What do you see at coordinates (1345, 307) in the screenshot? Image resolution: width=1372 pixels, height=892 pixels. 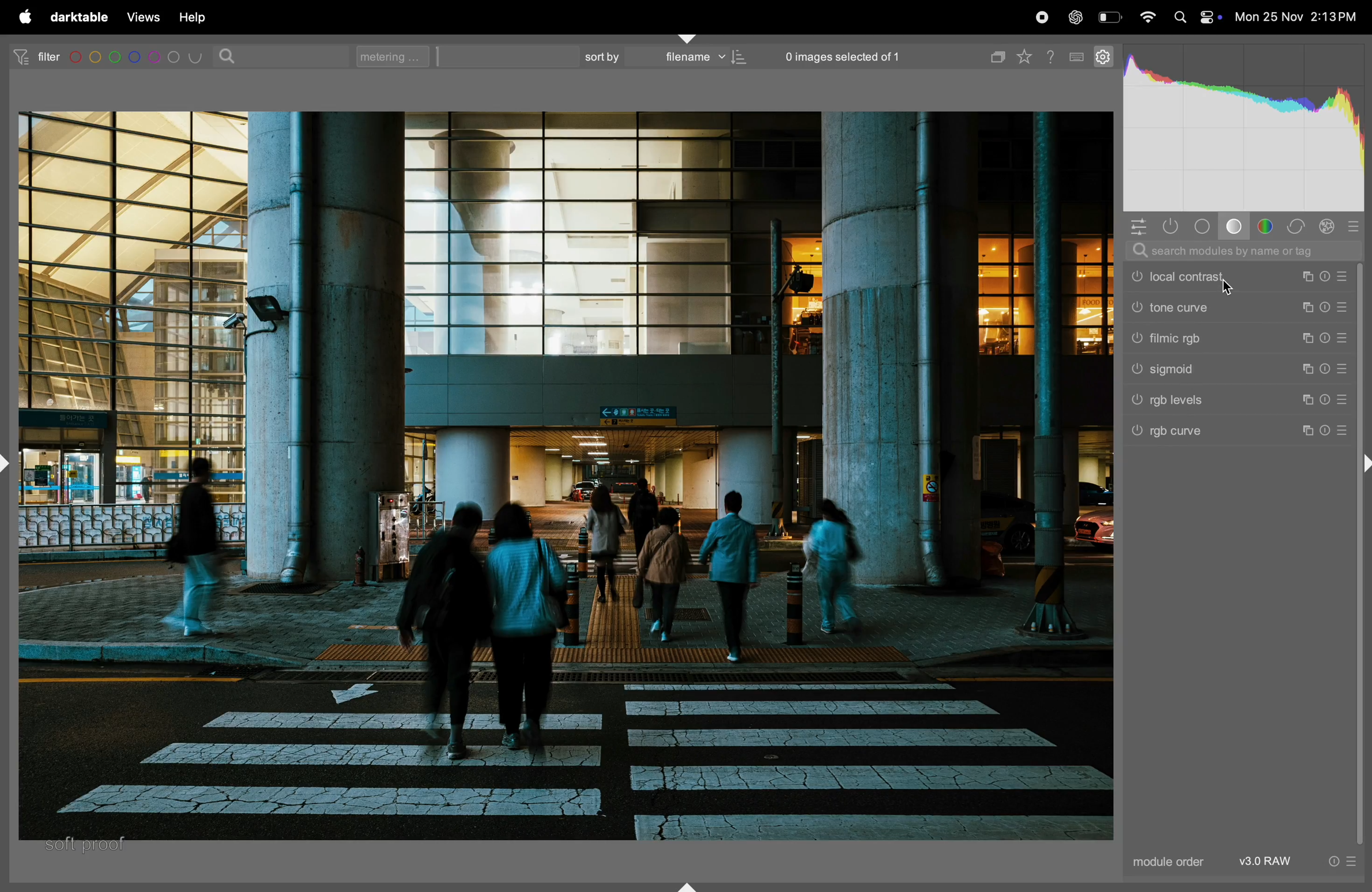 I see `preset` at bounding box center [1345, 307].